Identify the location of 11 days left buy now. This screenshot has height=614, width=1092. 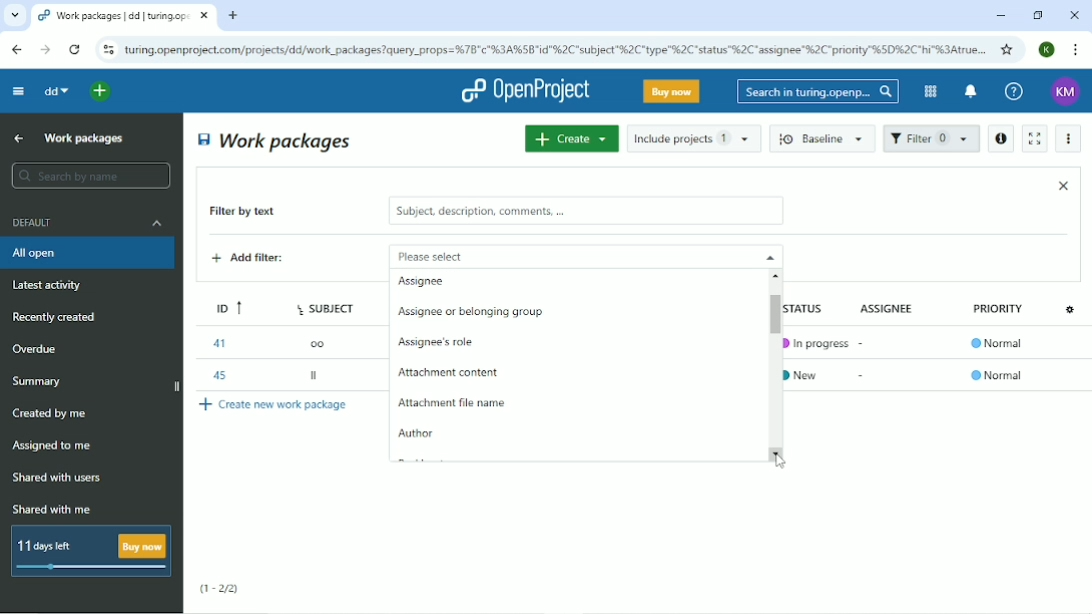
(89, 551).